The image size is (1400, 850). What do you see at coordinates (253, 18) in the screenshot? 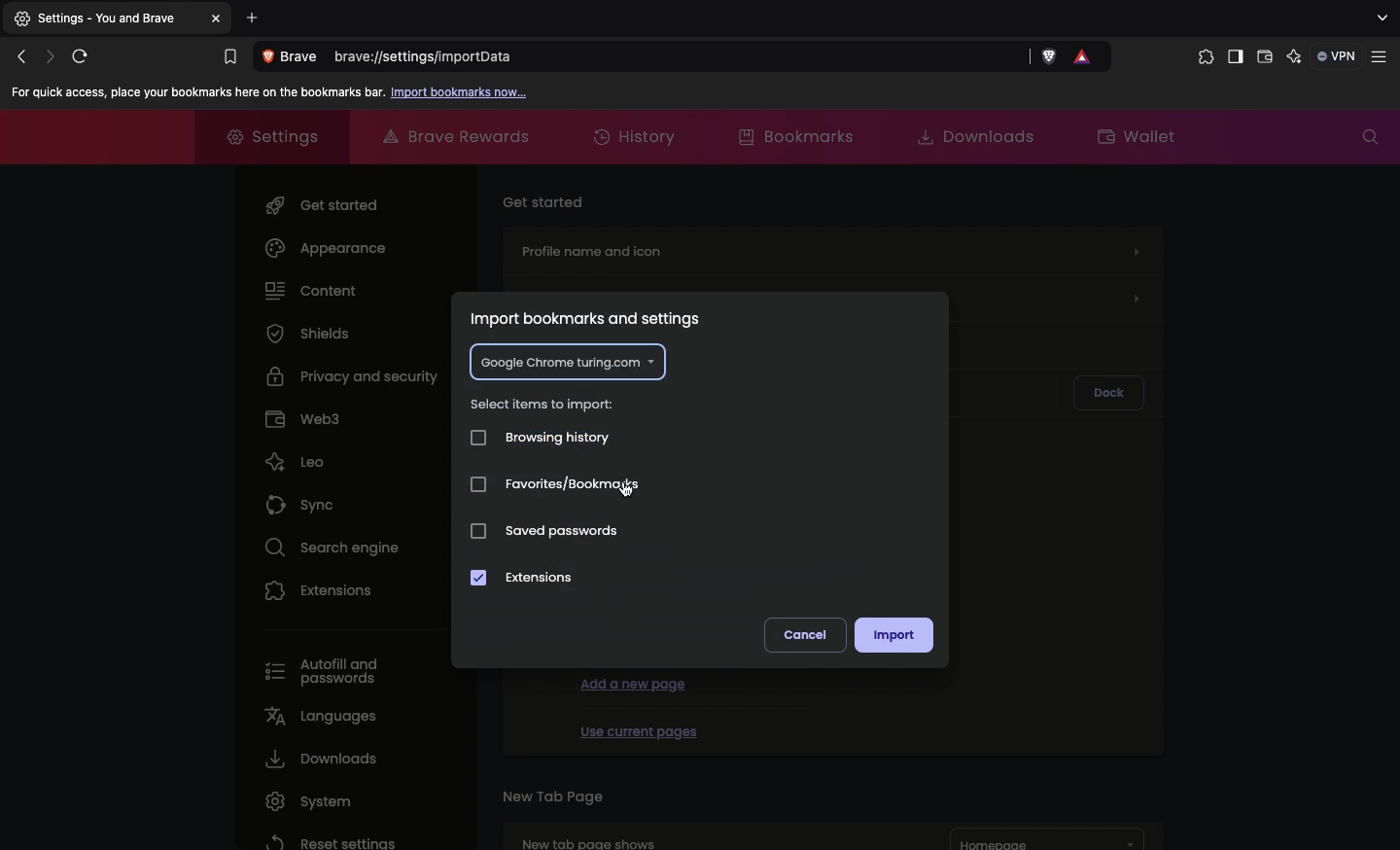
I see `Add new tab` at bounding box center [253, 18].